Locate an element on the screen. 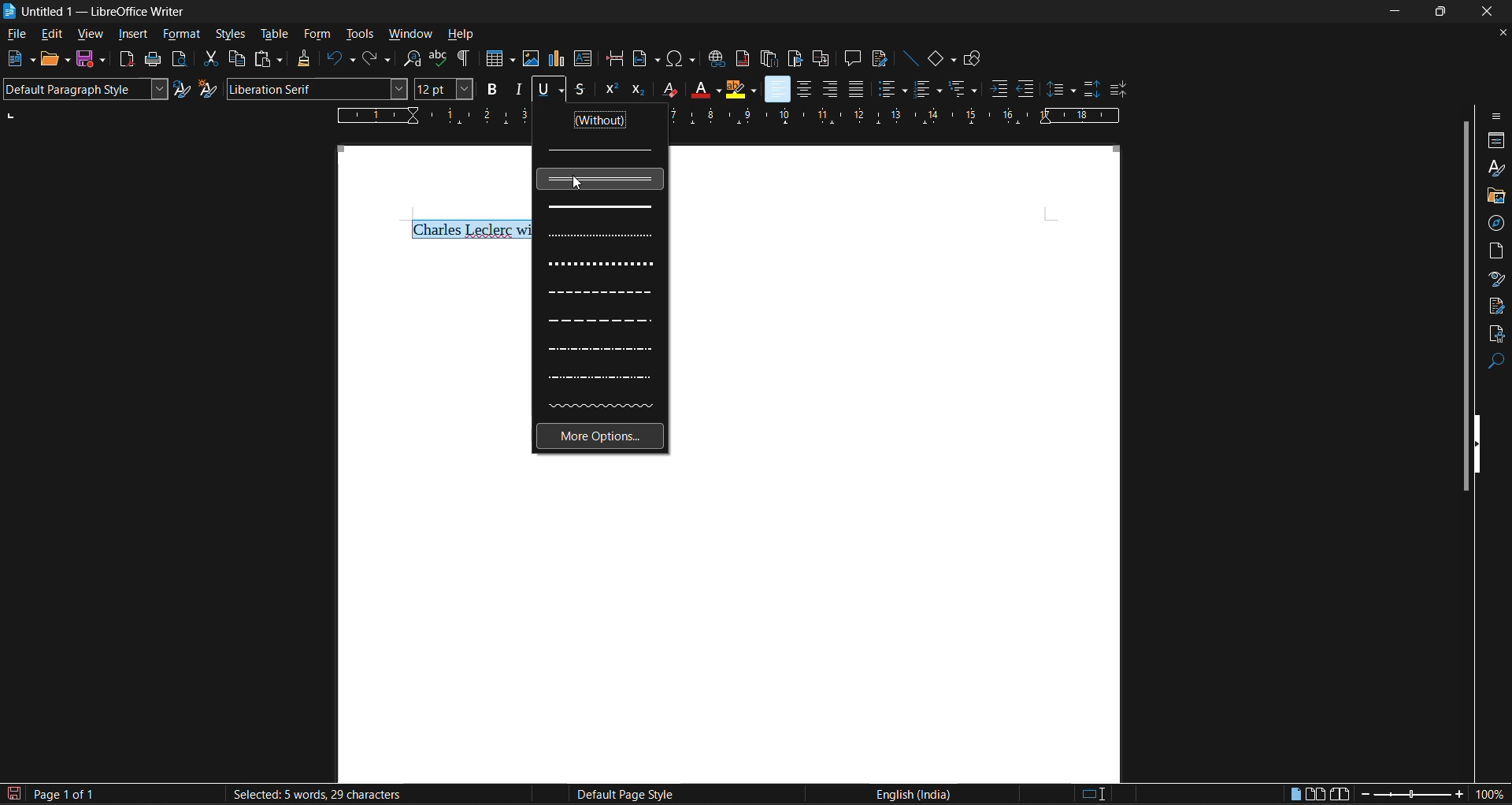 The width and height of the screenshot is (1512, 805). single page view is located at coordinates (1296, 796).